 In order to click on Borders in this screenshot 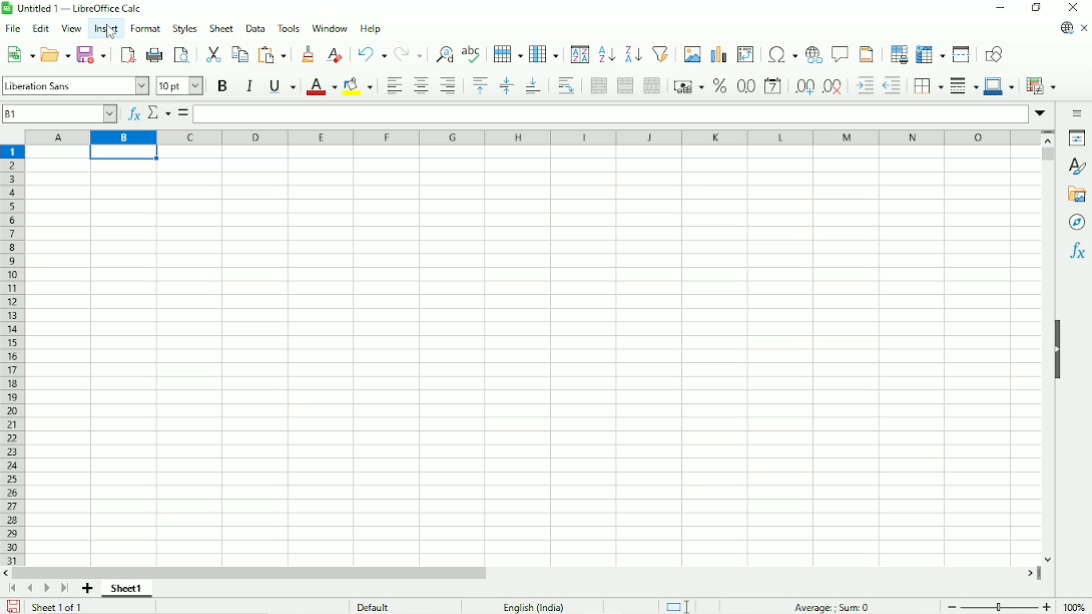, I will do `click(928, 85)`.